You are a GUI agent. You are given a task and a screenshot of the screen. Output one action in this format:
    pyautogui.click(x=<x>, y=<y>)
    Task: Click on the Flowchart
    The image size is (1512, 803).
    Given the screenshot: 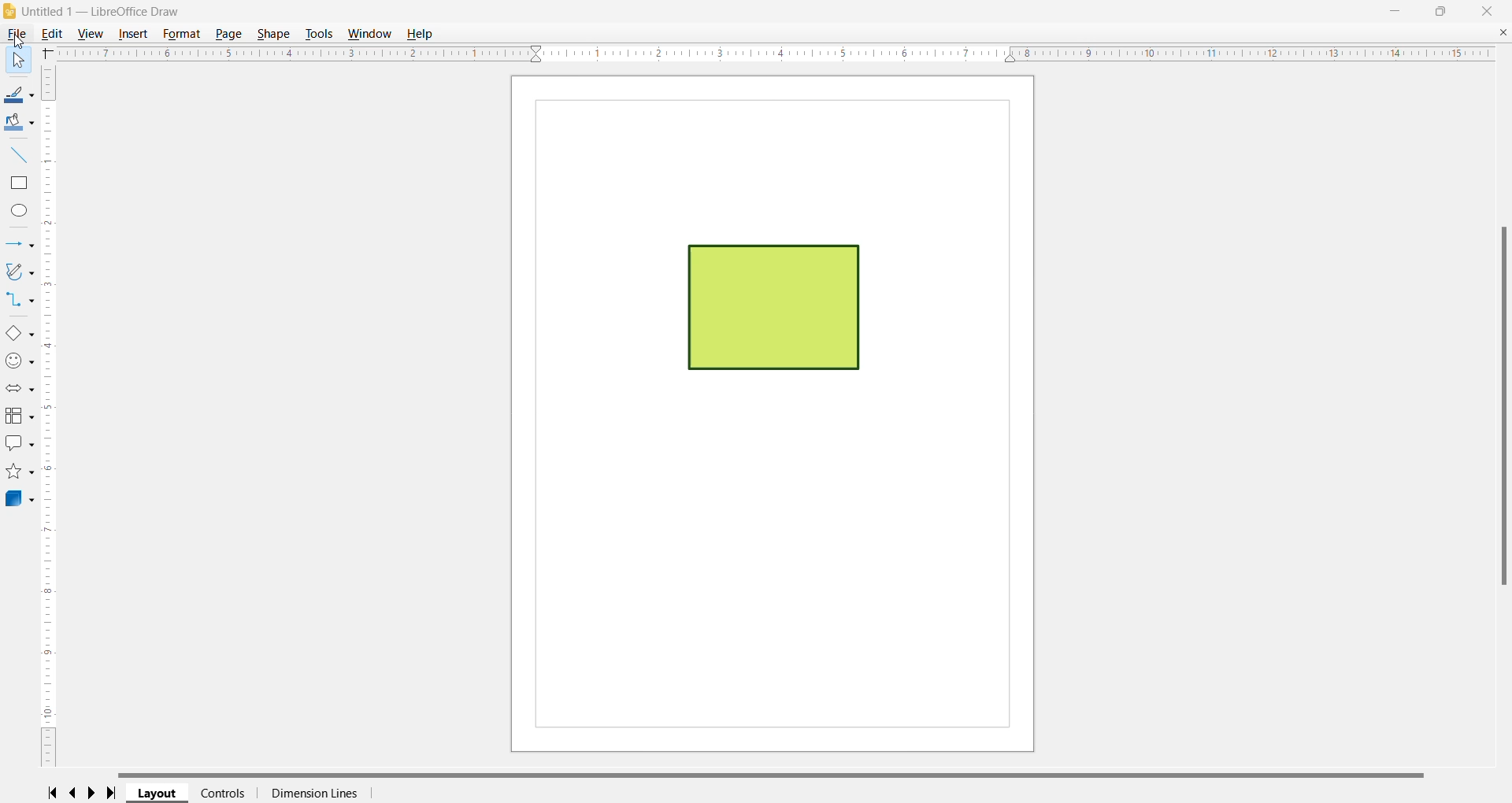 What is the action you would take?
    pyautogui.click(x=19, y=416)
    